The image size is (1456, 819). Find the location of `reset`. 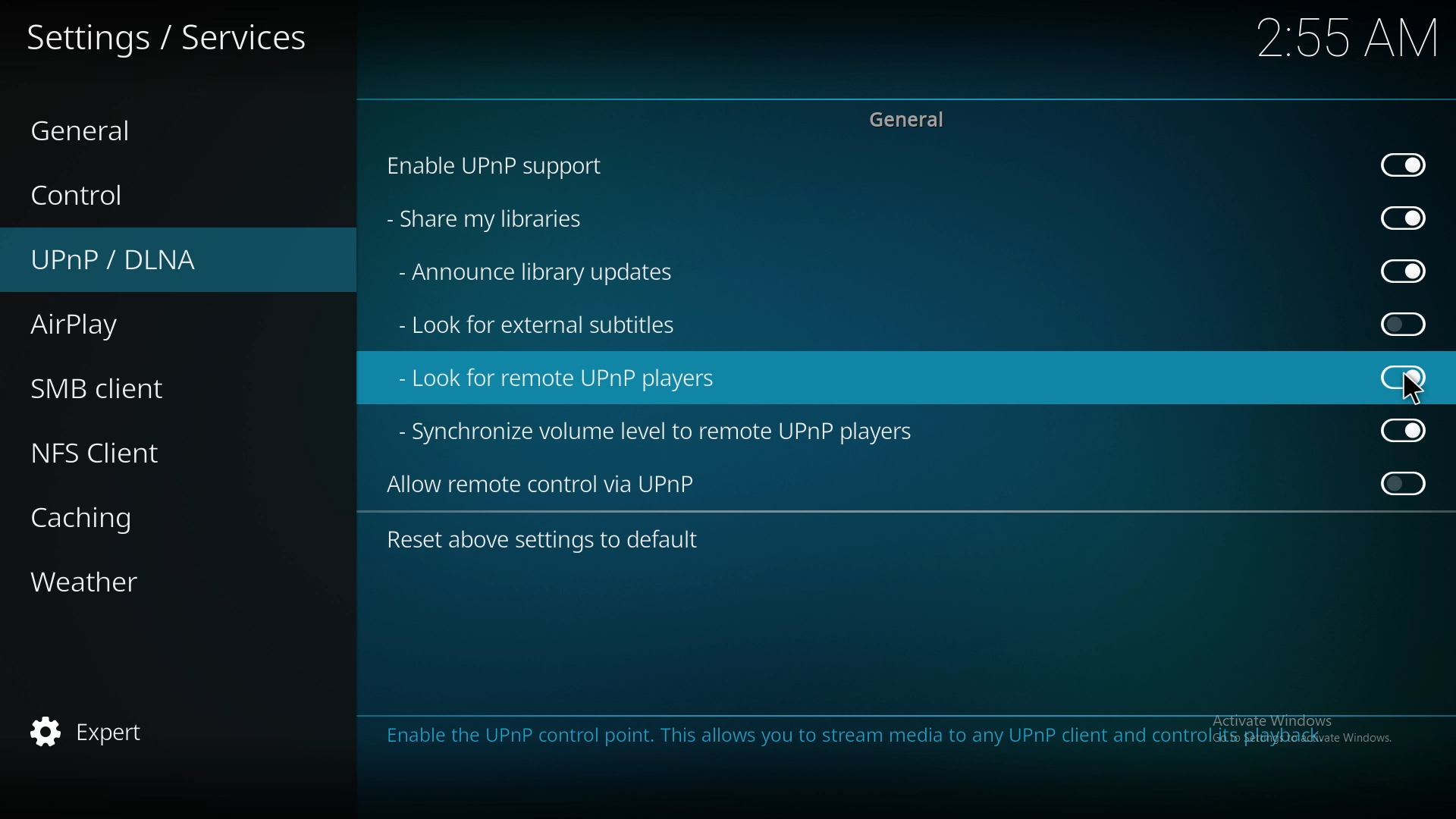

reset is located at coordinates (555, 540).